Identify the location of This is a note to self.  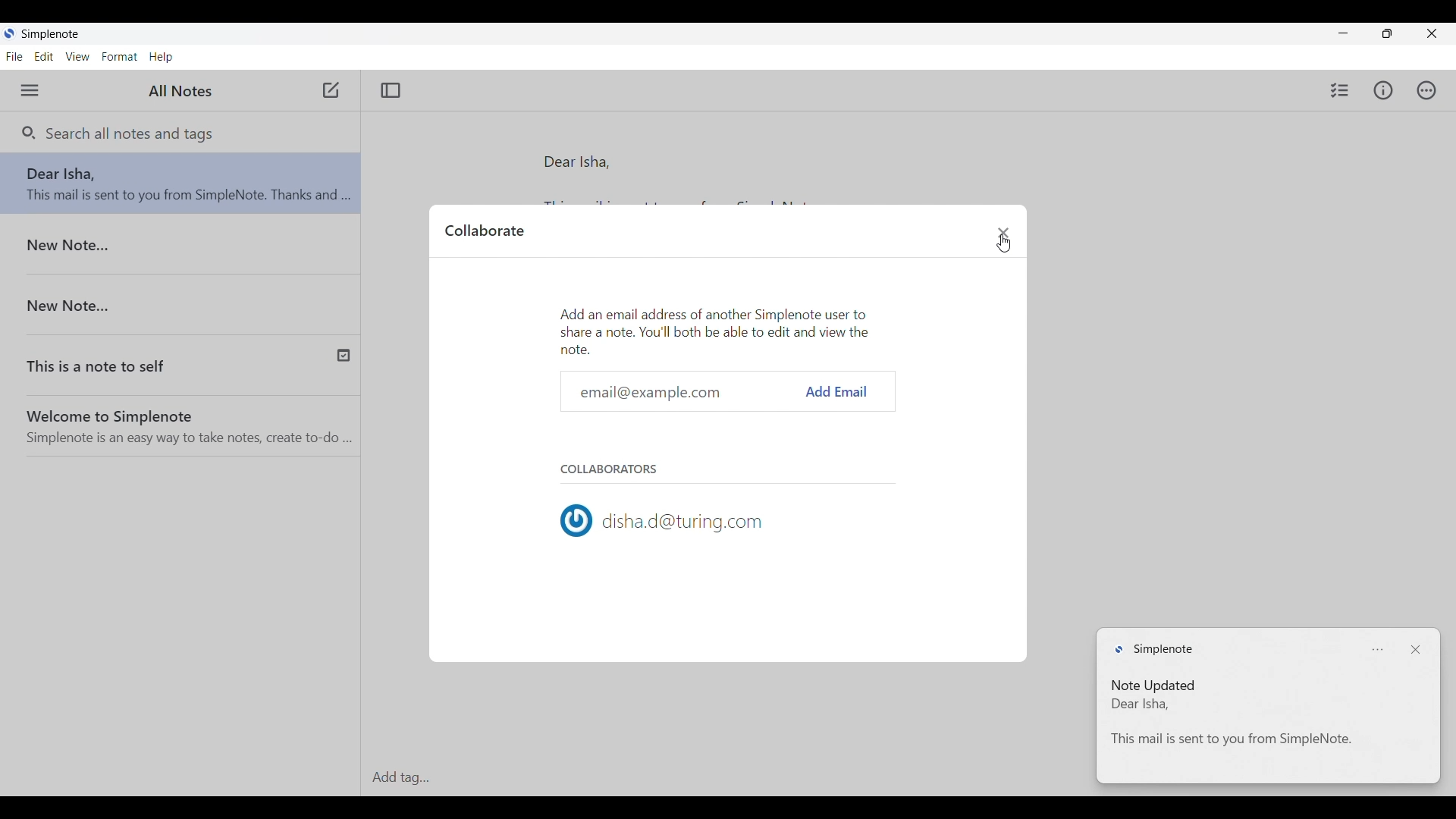
(156, 360).